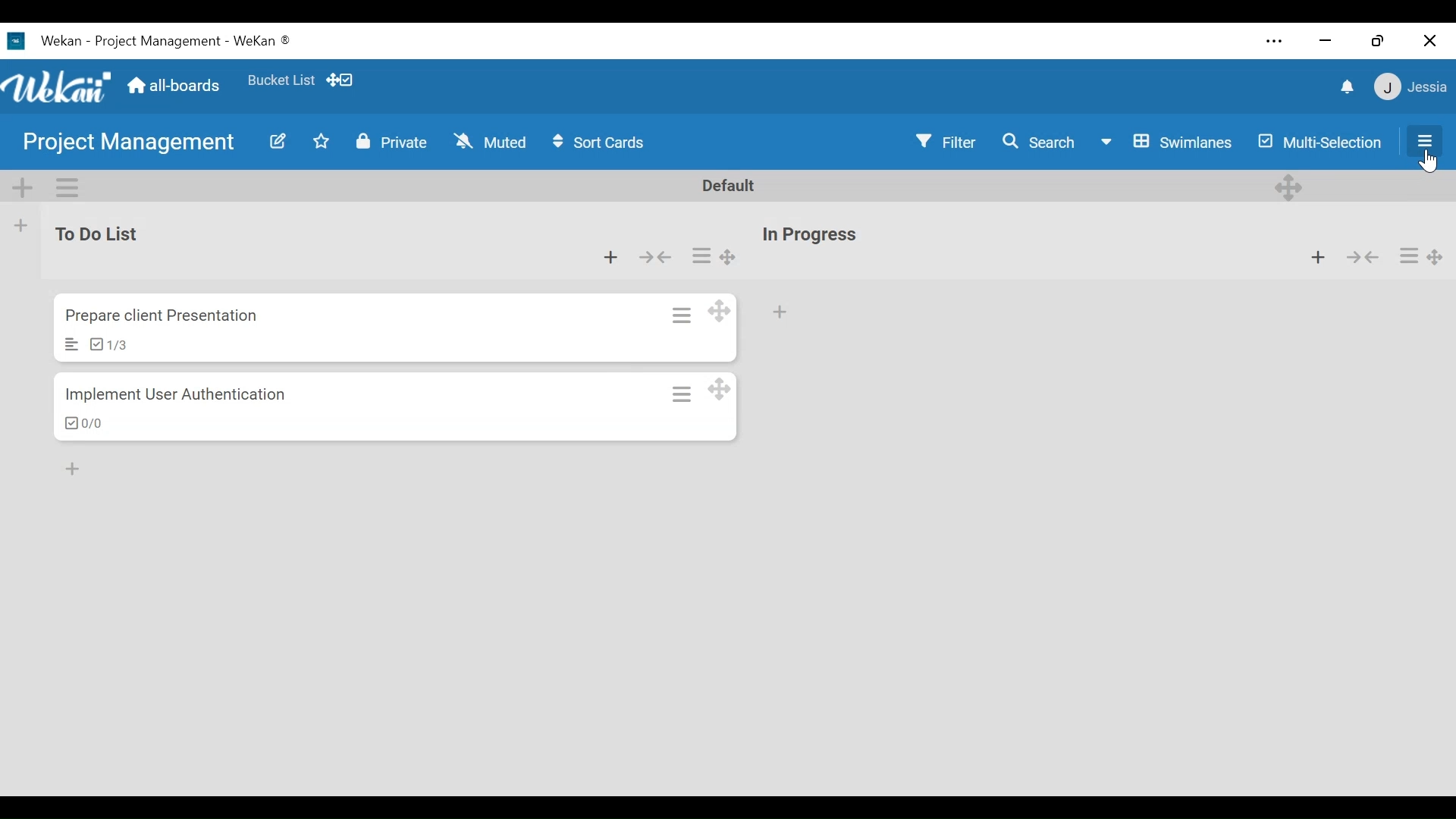 The height and width of the screenshot is (819, 1456). I want to click on Search, so click(1040, 143).